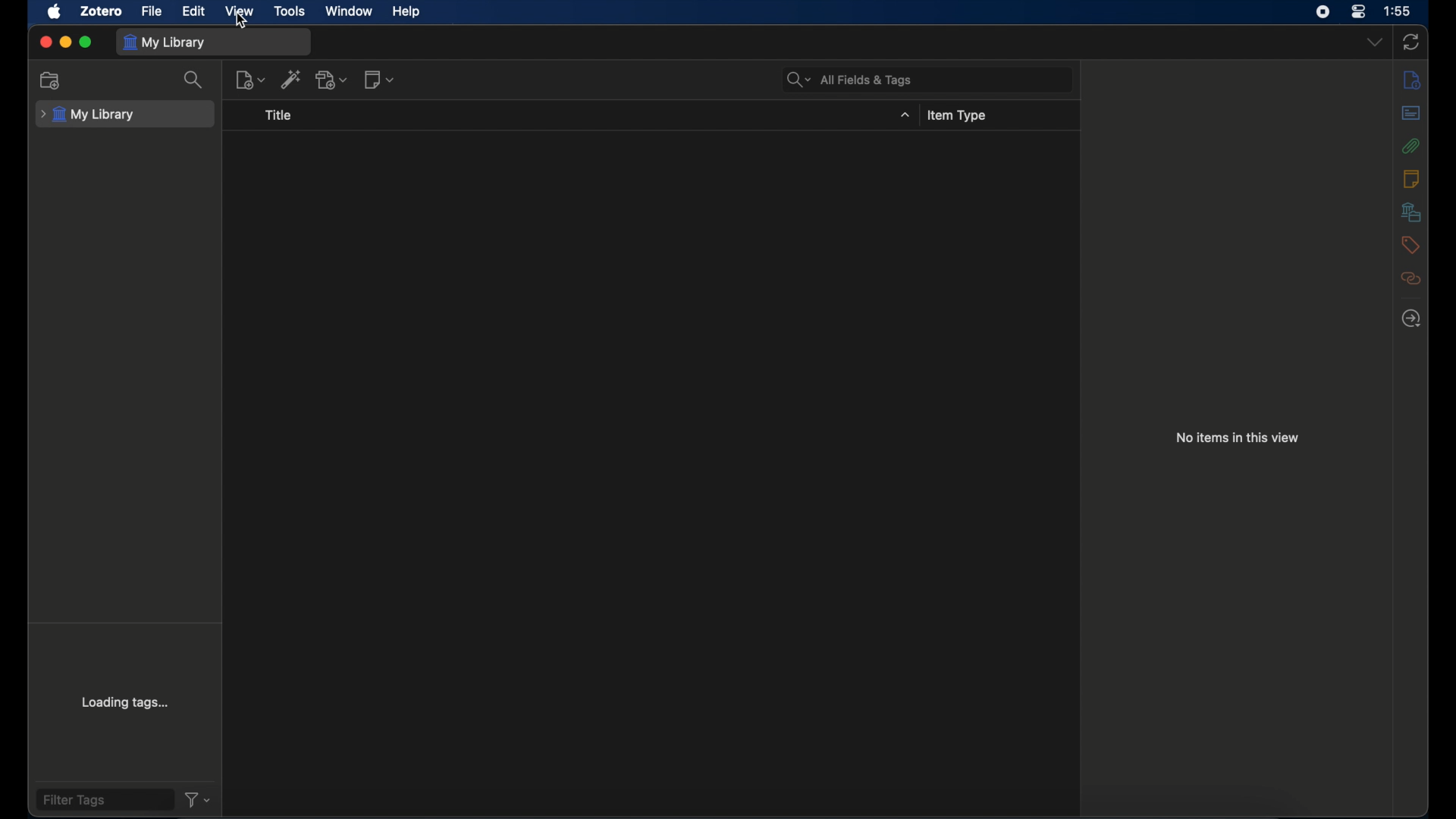  What do you see at coordinates (199, 799) in the screenshot?
I see `filter` at bounding box center [199, 799].